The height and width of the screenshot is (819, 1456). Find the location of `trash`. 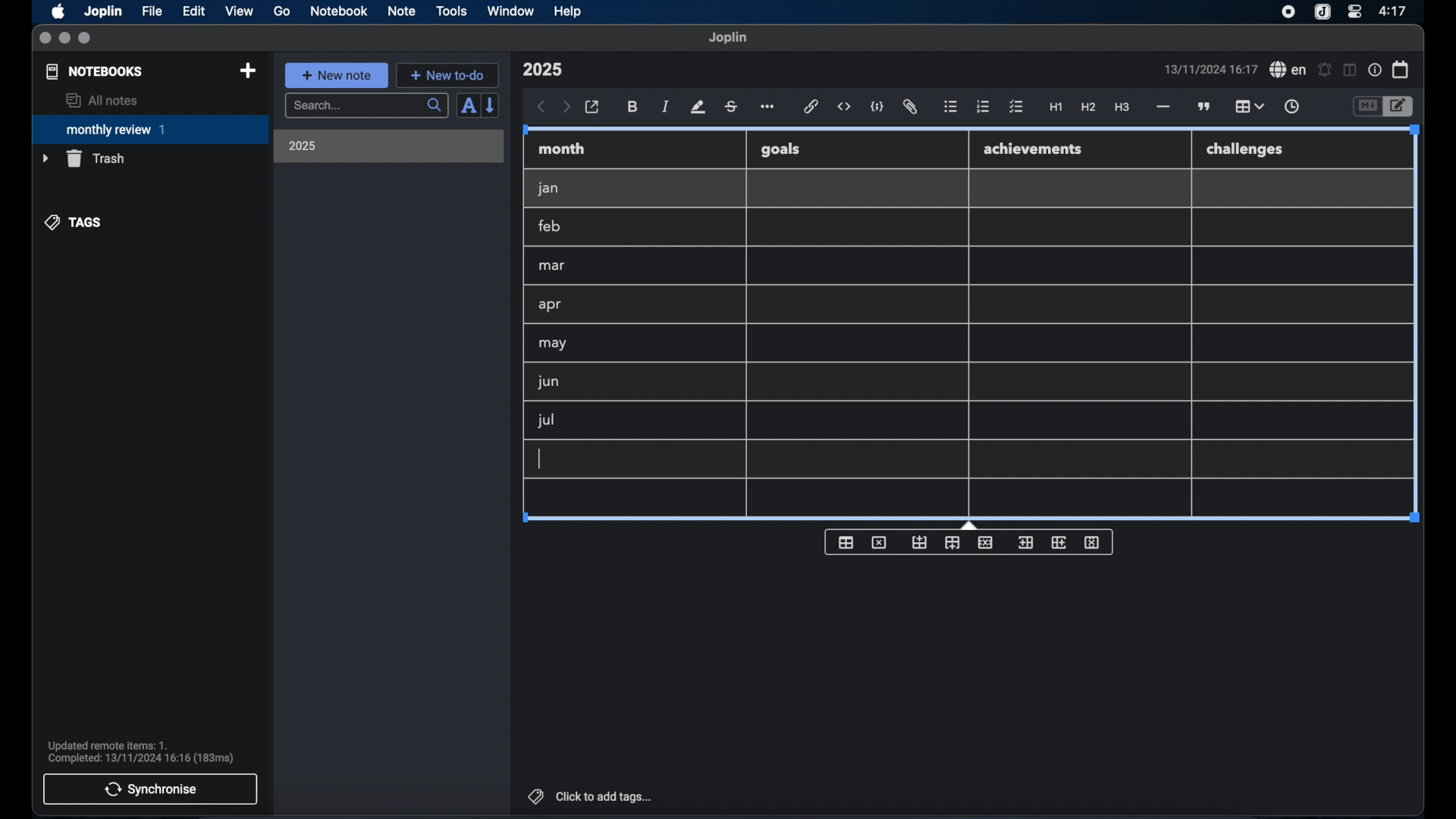

trash is located at coordinates (83, 158).